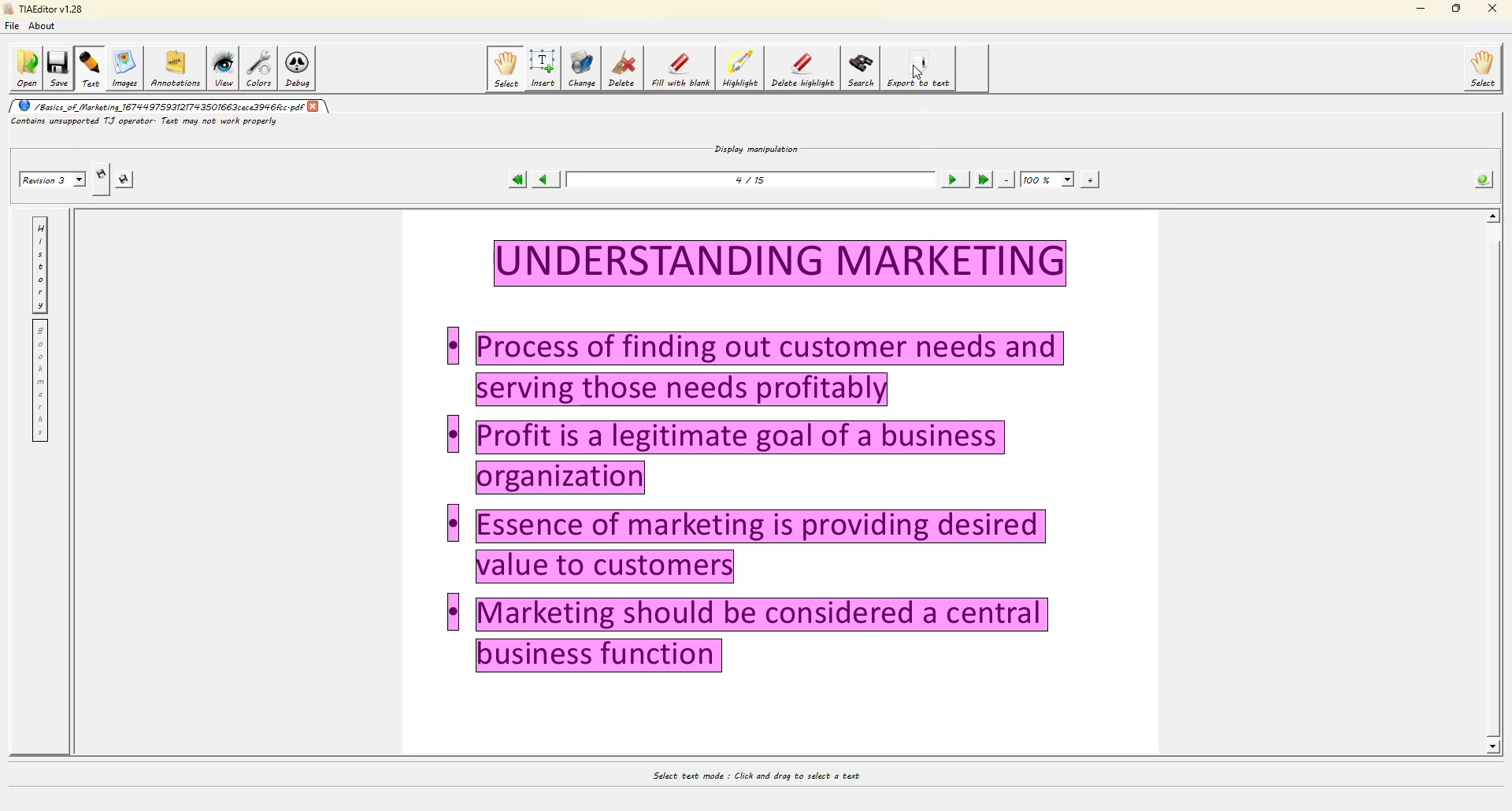 Image resolution: width=1512 pixels, height=811 pixels. What do you see at coordinates (1091, 179) in the screenshot?
I see `zoom in` at bounding box center [1091, 179].